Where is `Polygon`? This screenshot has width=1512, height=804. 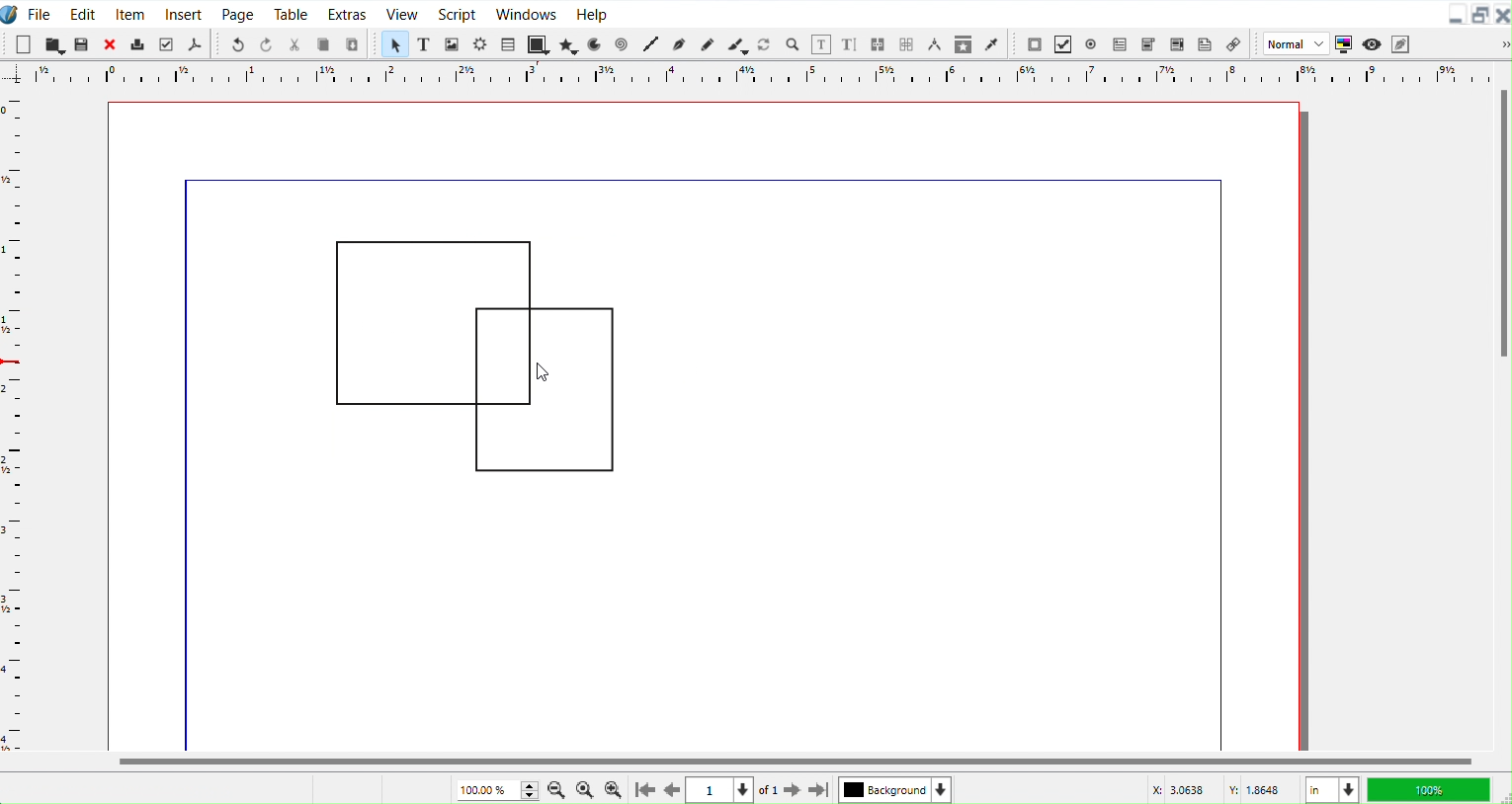 Polygon is located at coordinates (569, 45).